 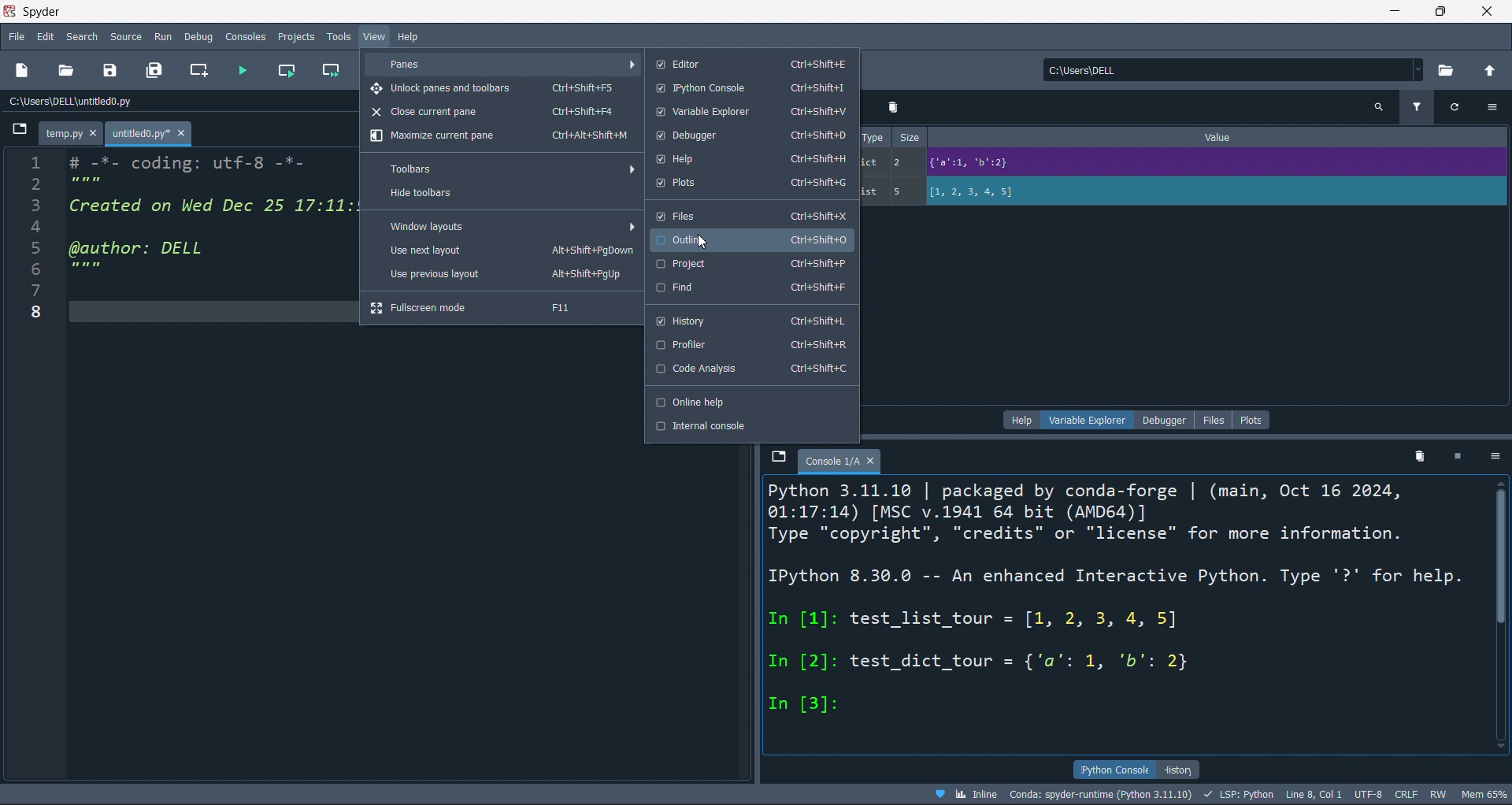 I want to click on save, so click(x=110, y=72).